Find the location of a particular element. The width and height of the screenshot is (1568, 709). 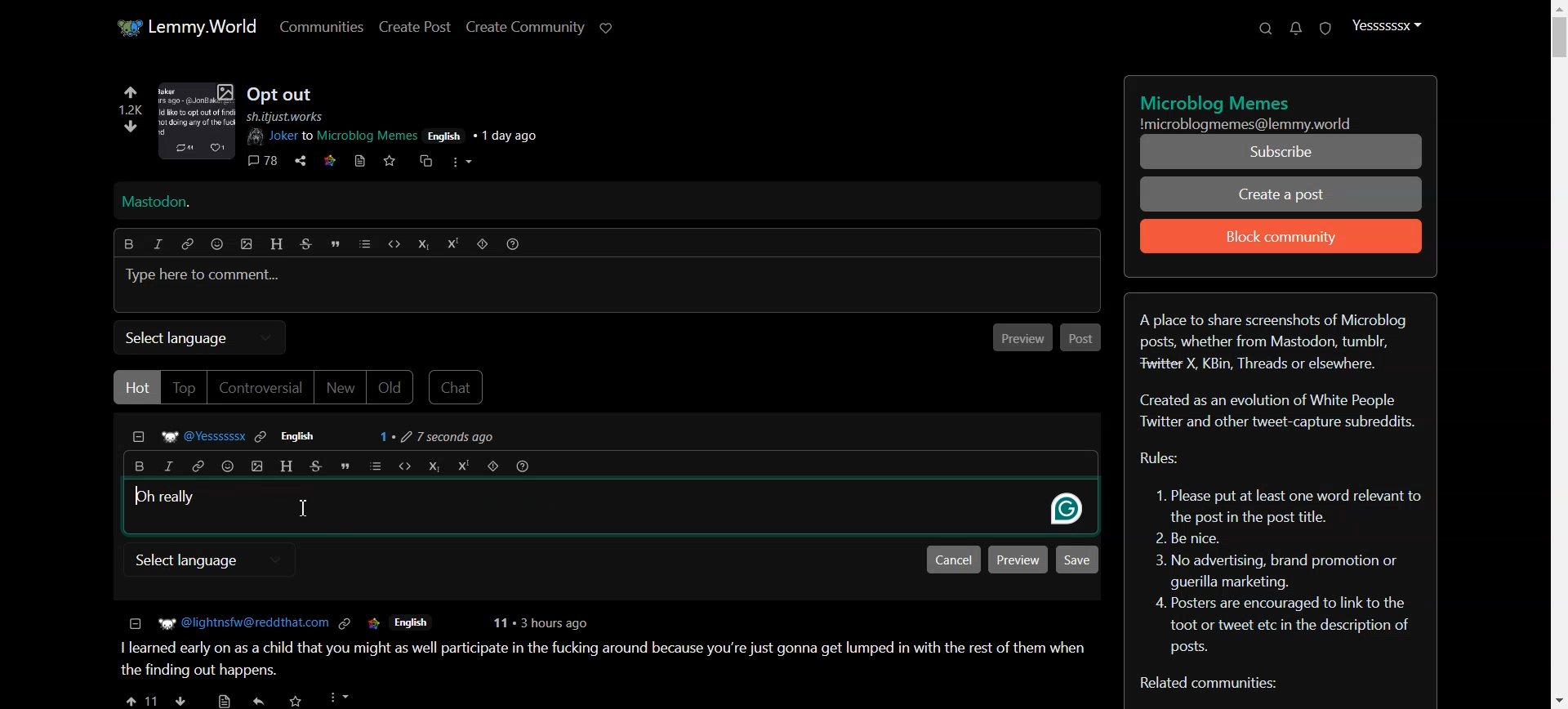

Header is located at coordinates (277, 244).